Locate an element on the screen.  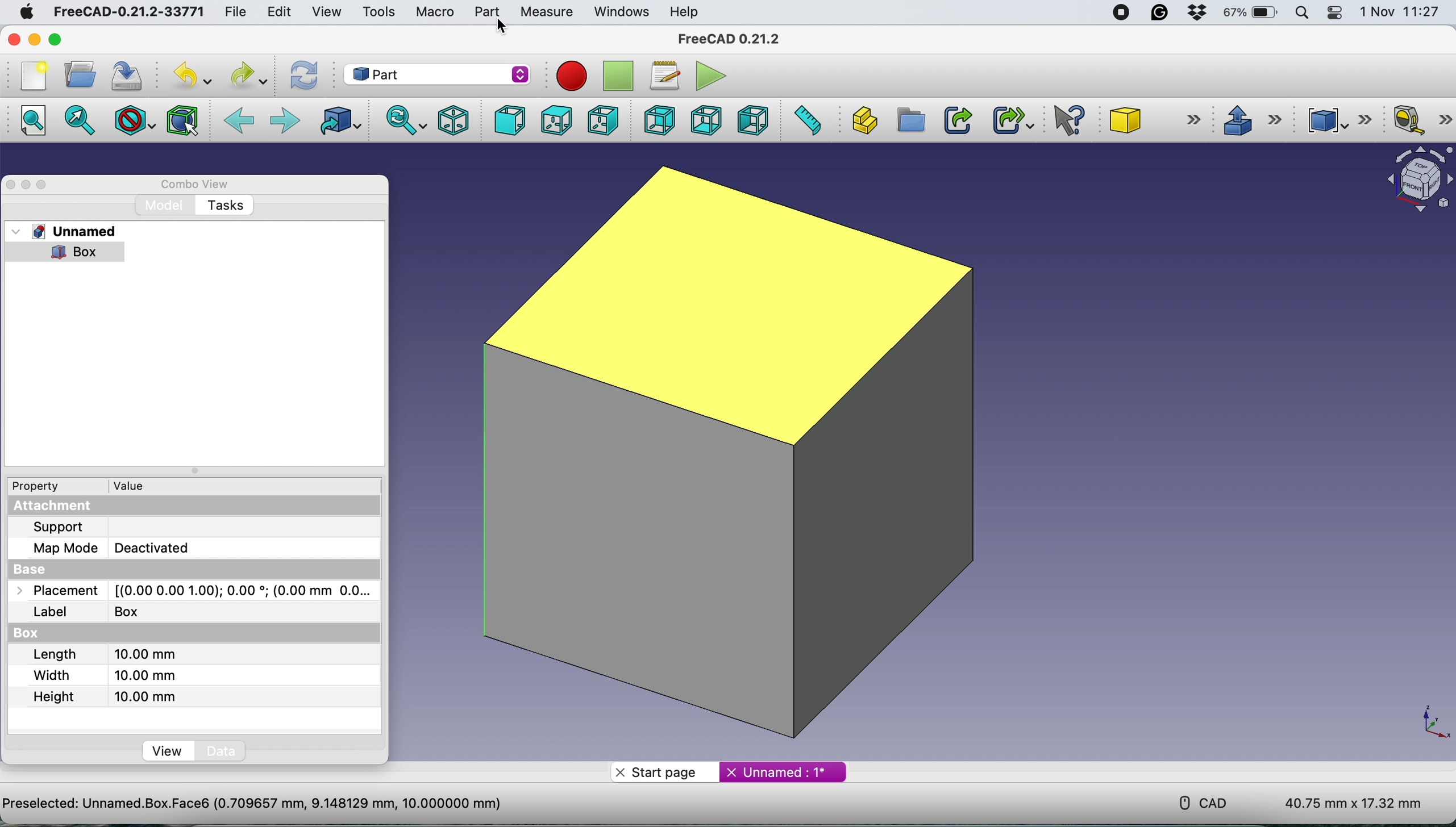
new is located at coordinates (35, 77).